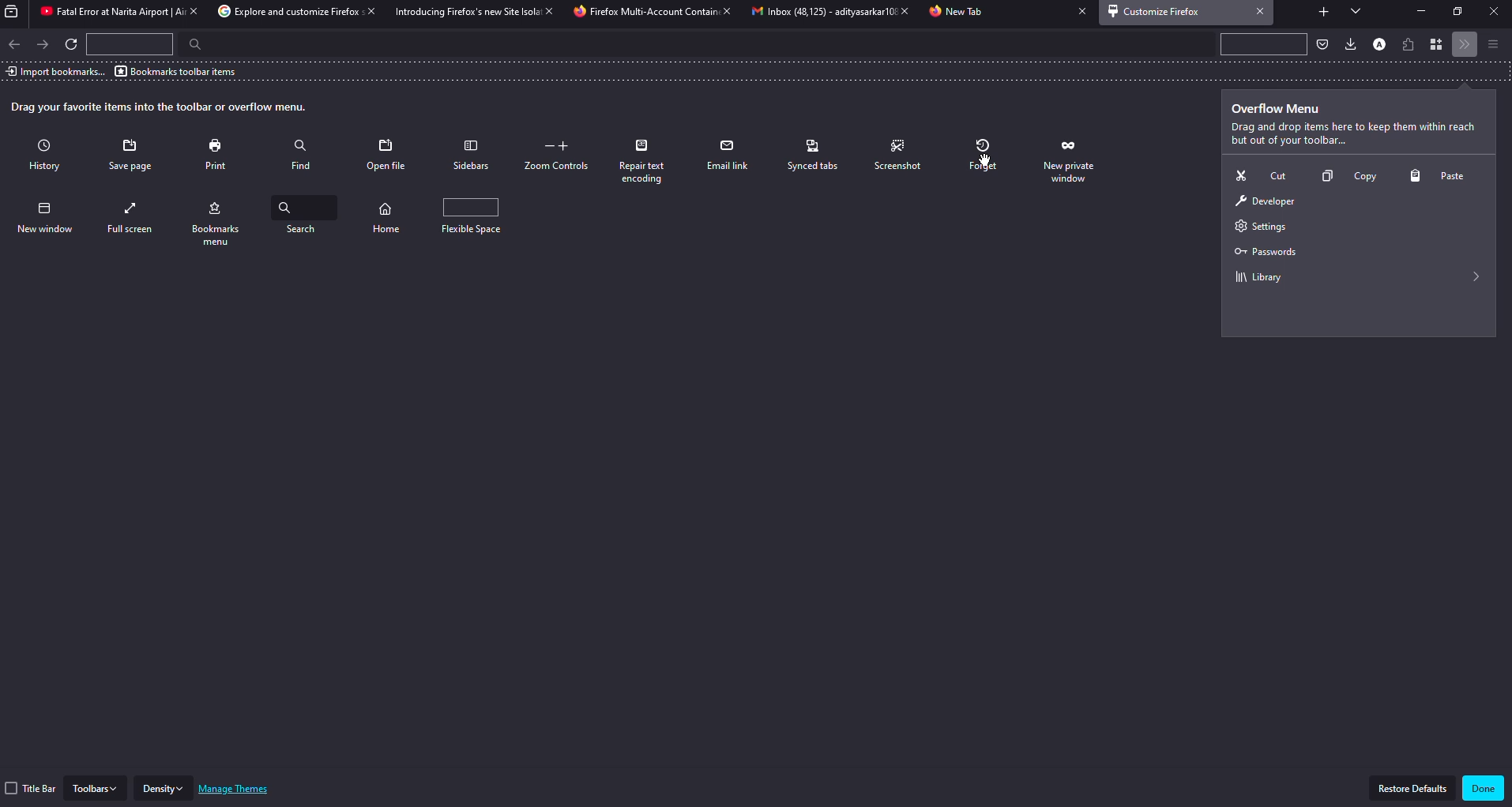 The height and width of the screenshot is (807, 1512). I want to click on flexible space, so click(472, 214).